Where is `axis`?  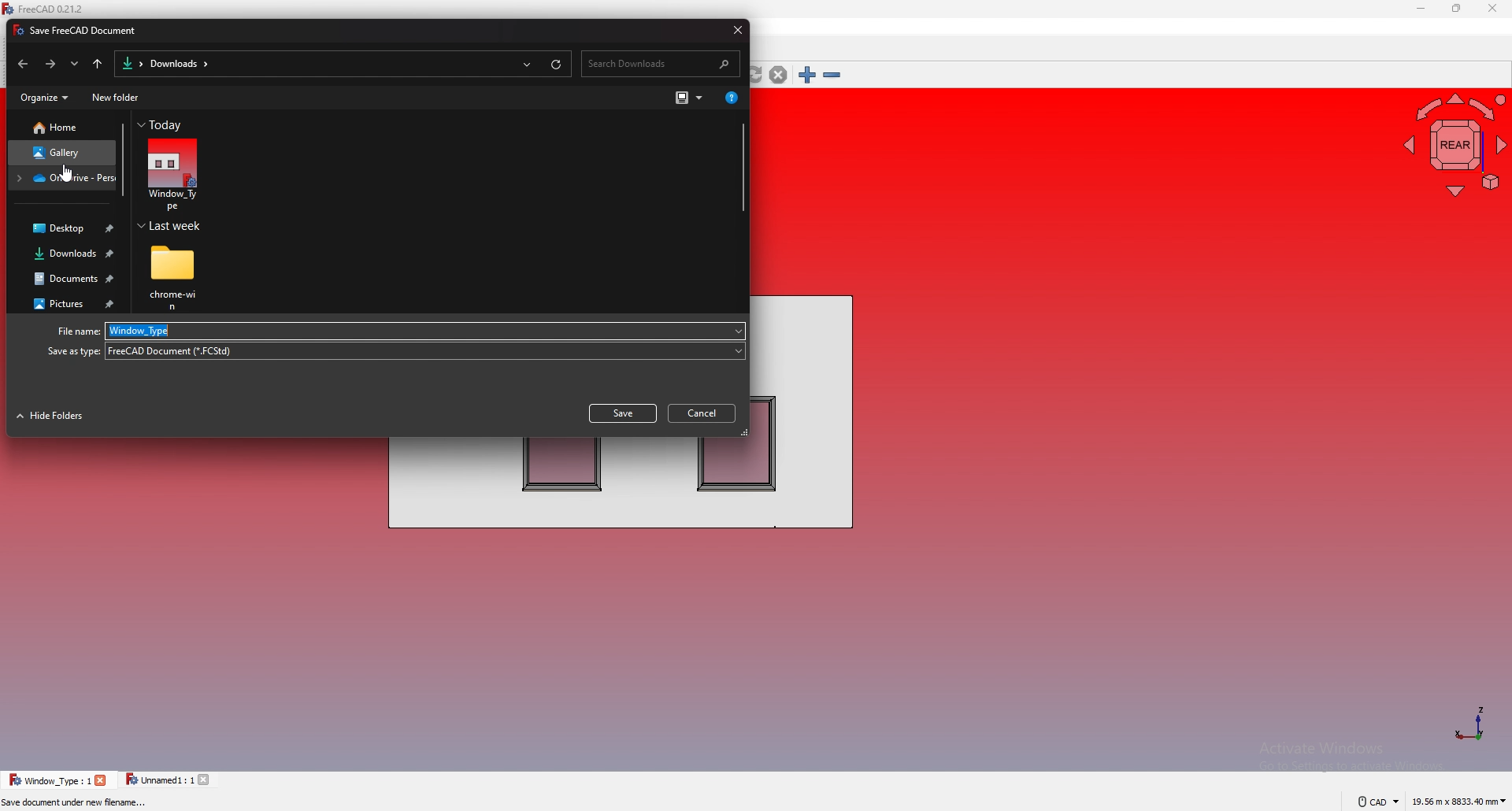
axis is located at coordinates (1469, 723).